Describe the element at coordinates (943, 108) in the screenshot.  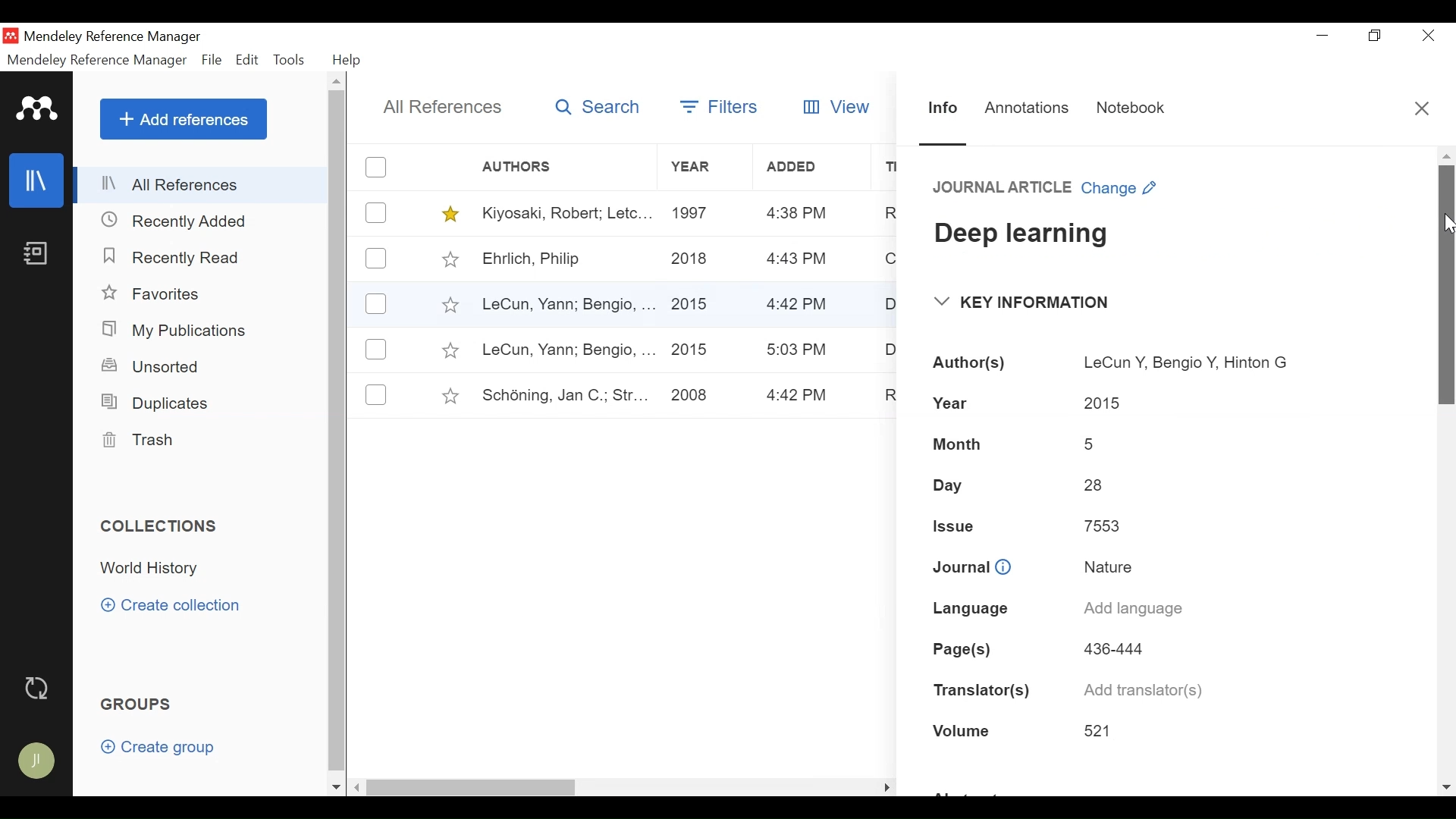
I see `Information` at that location.